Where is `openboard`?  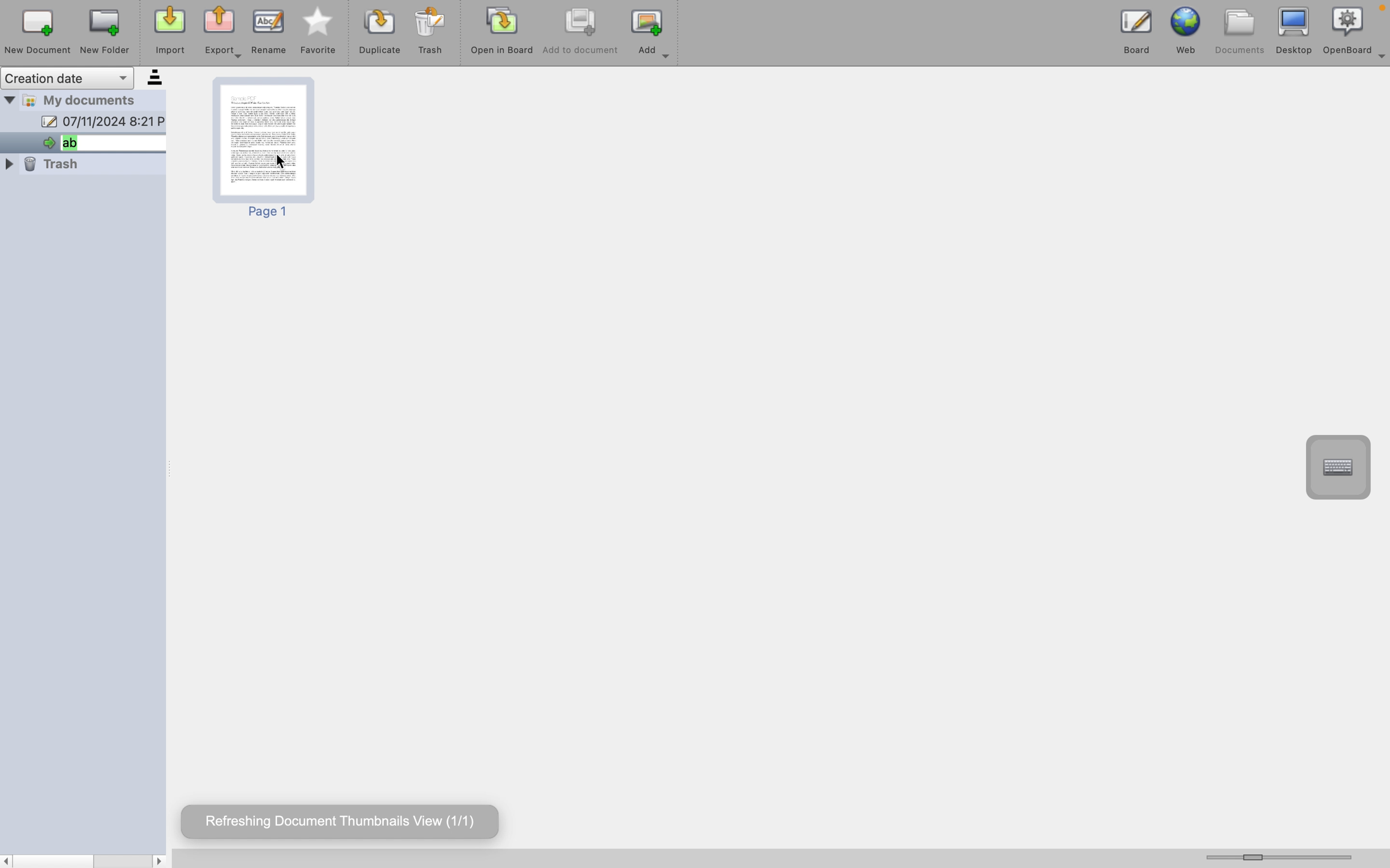
openboard is located at coordinates (1348, 29).